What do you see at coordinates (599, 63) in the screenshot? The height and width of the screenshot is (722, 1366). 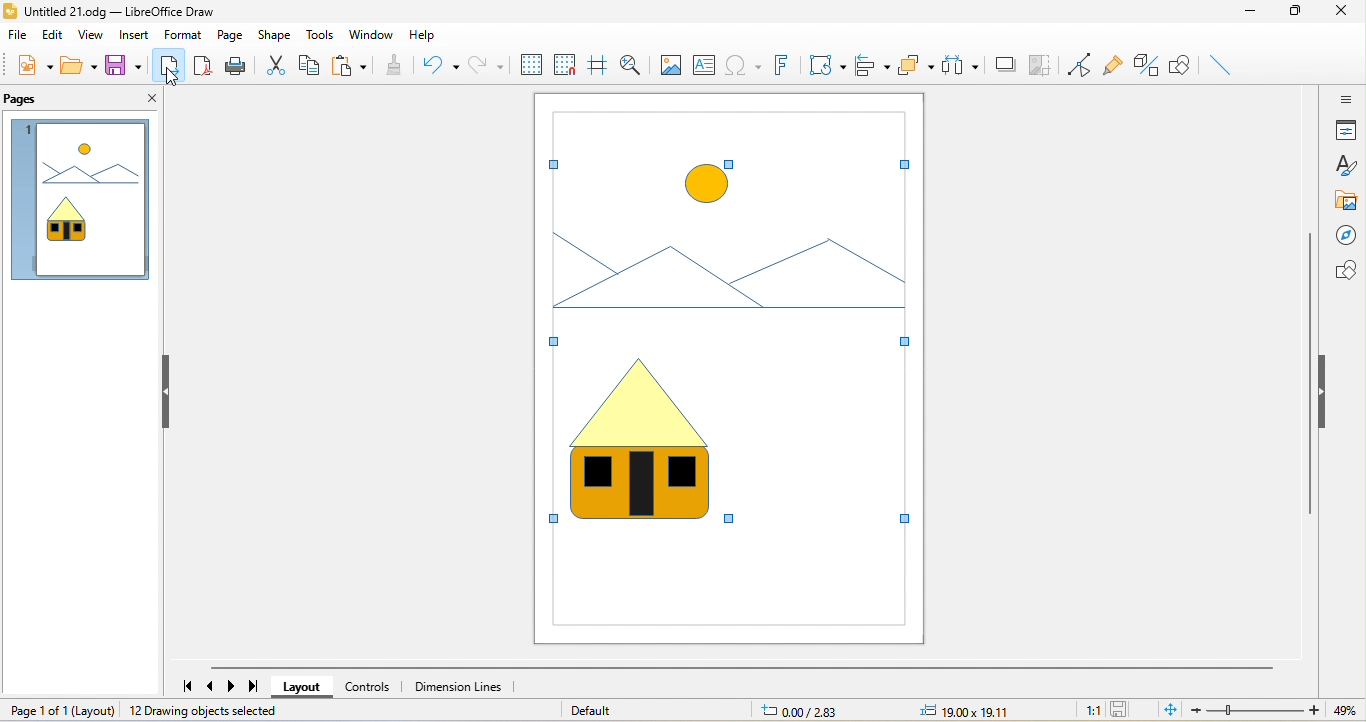 I see `helplines while moving` at bounding box center [599, 63].